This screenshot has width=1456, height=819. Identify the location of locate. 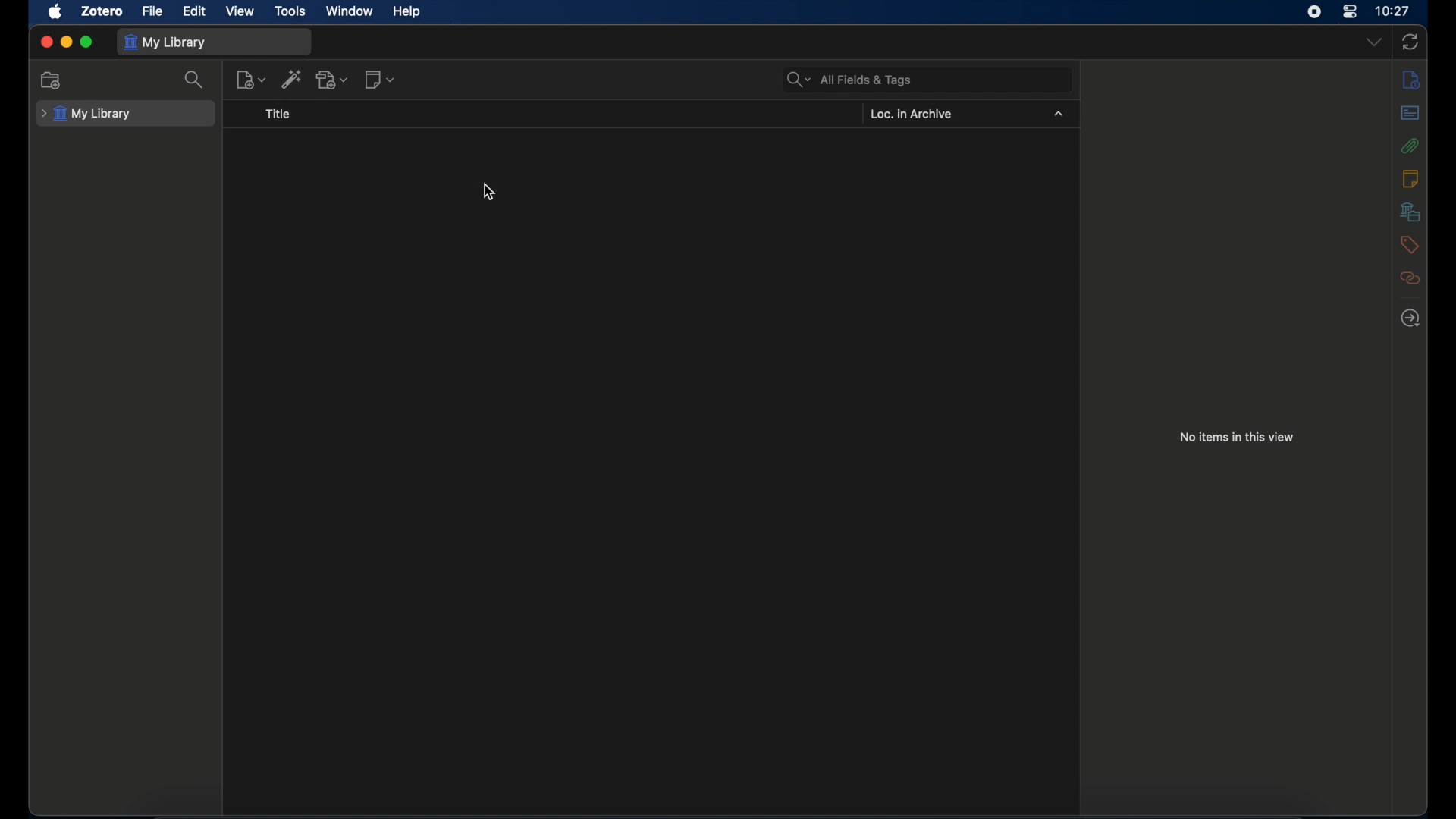
(1410, 319).